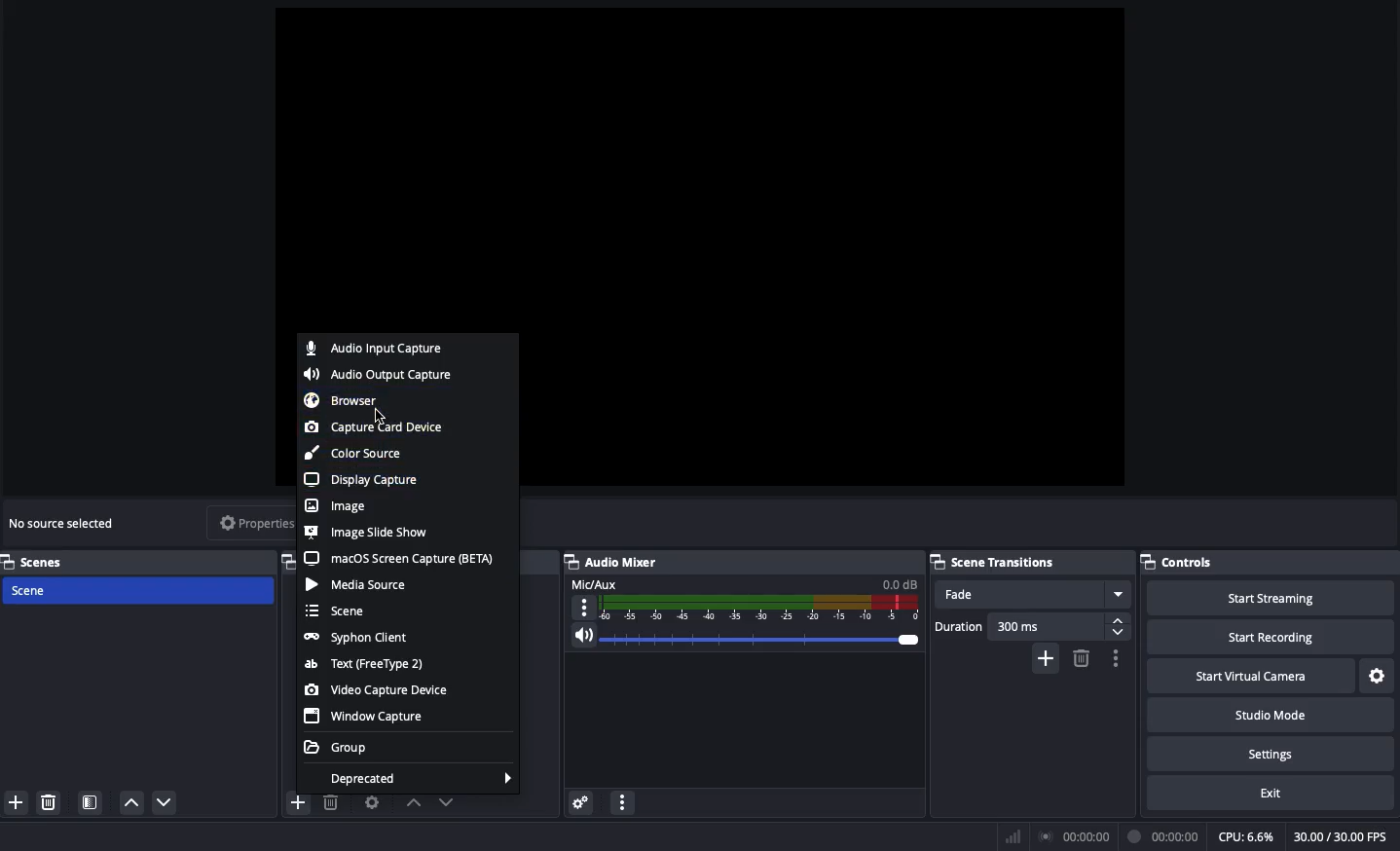 Image resolution: width=1400 pixels, height=851 pixels. I want to click on 30.00/30.00 FPS, so click(1345, 834).